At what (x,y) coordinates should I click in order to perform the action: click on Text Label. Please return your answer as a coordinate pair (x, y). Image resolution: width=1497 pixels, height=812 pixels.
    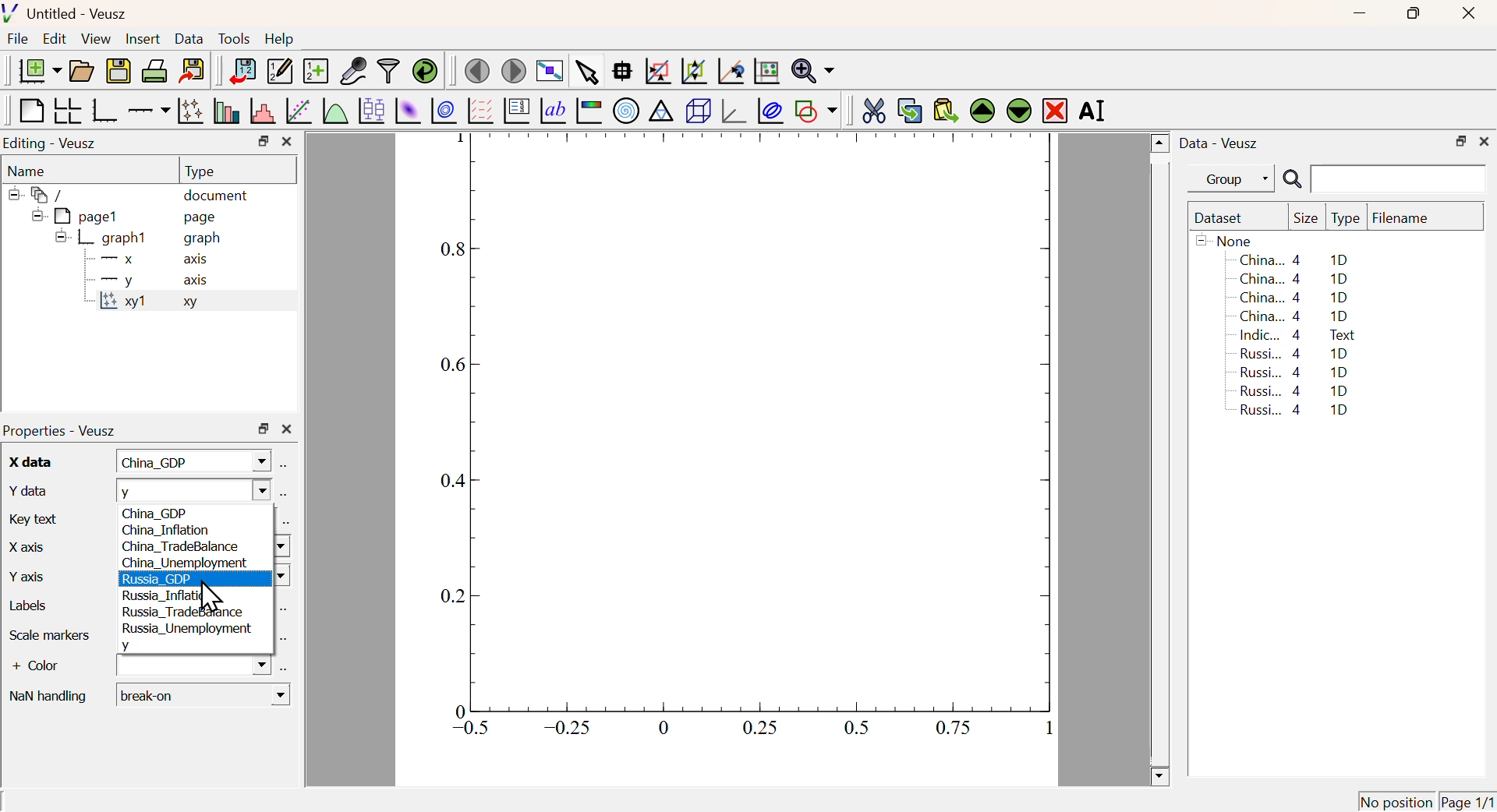
    Looking at the image, I should click on (553, 111).